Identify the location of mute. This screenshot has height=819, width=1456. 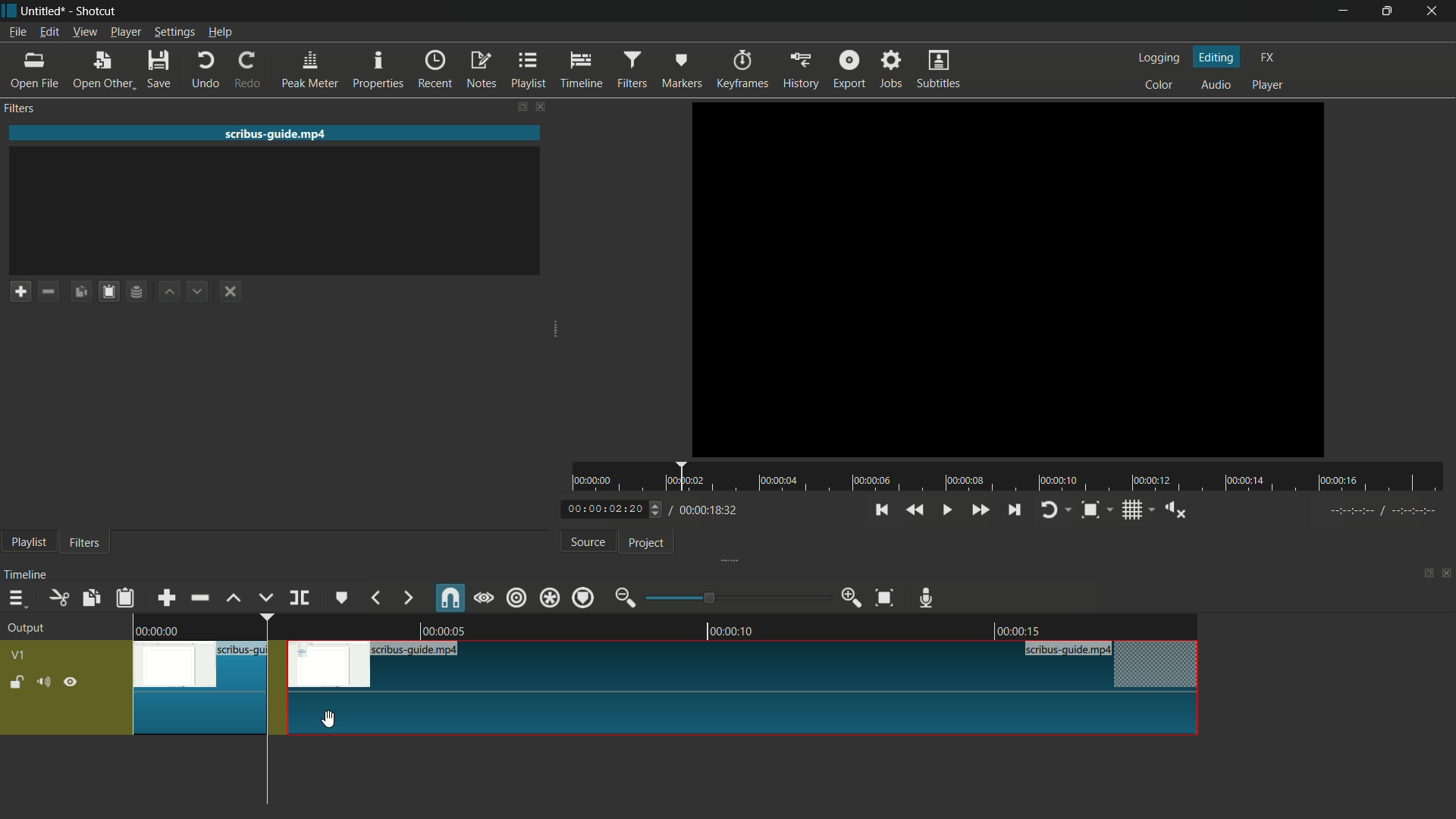
(44, 682).